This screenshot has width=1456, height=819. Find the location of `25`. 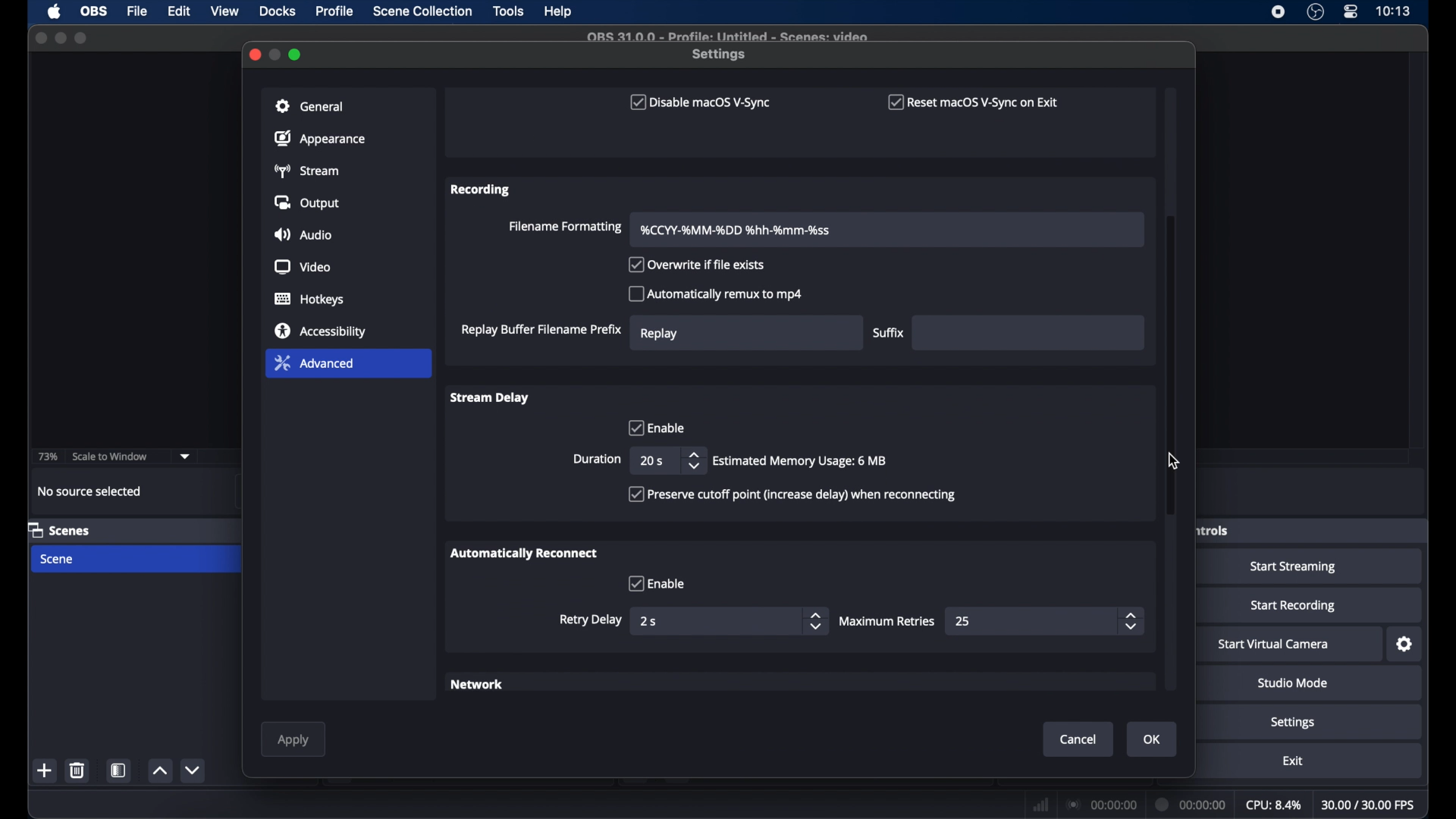

25 is located at coordinates (964, 621).